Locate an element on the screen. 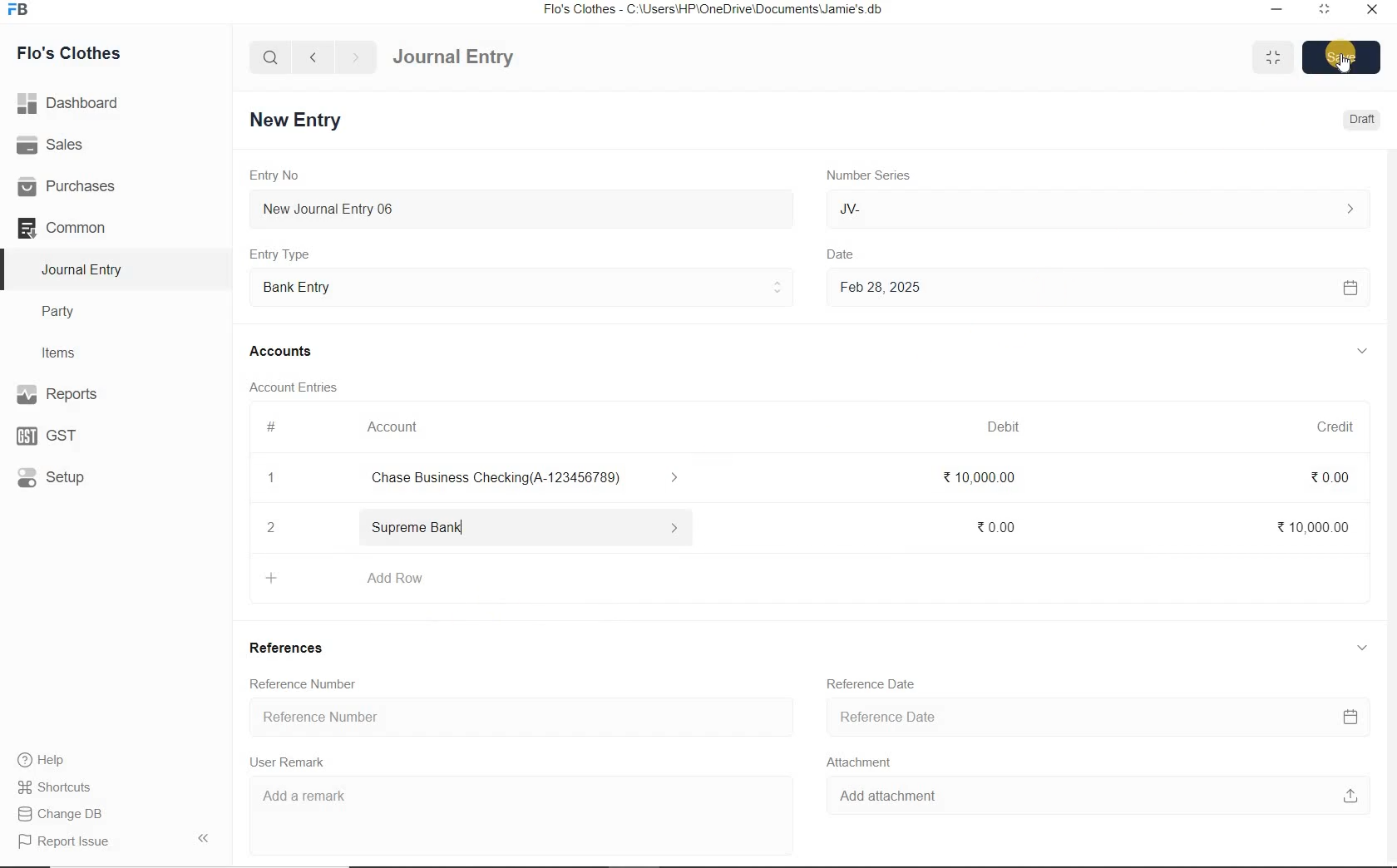 This screenshot has width=1397, height=868. Flo's Clothes - C:\Users\HP\OneDrive\Documents\Jamie's.db is located at coordinates (714, 12).